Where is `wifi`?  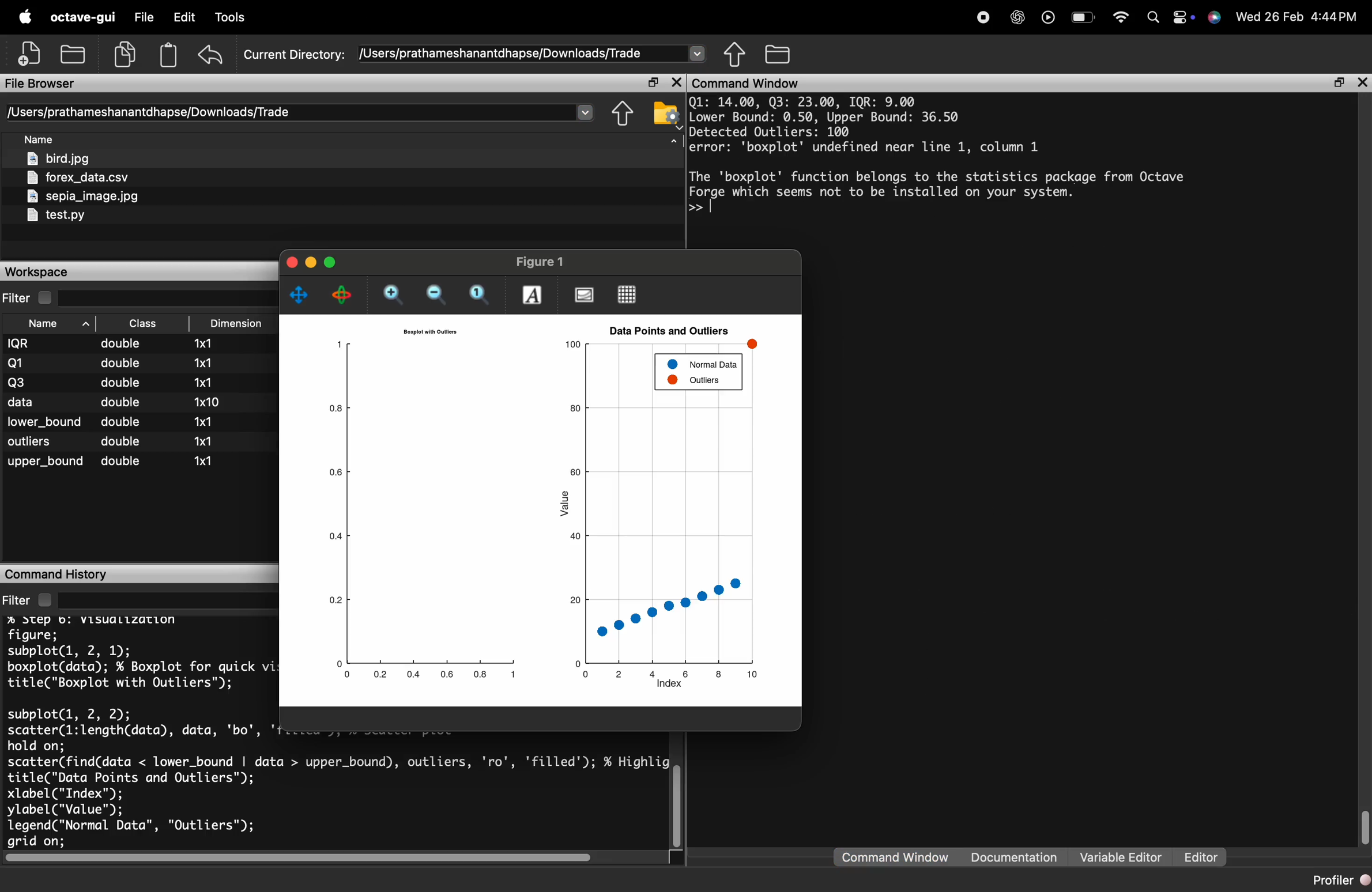
wifi is located at coordinates (1121, 18).